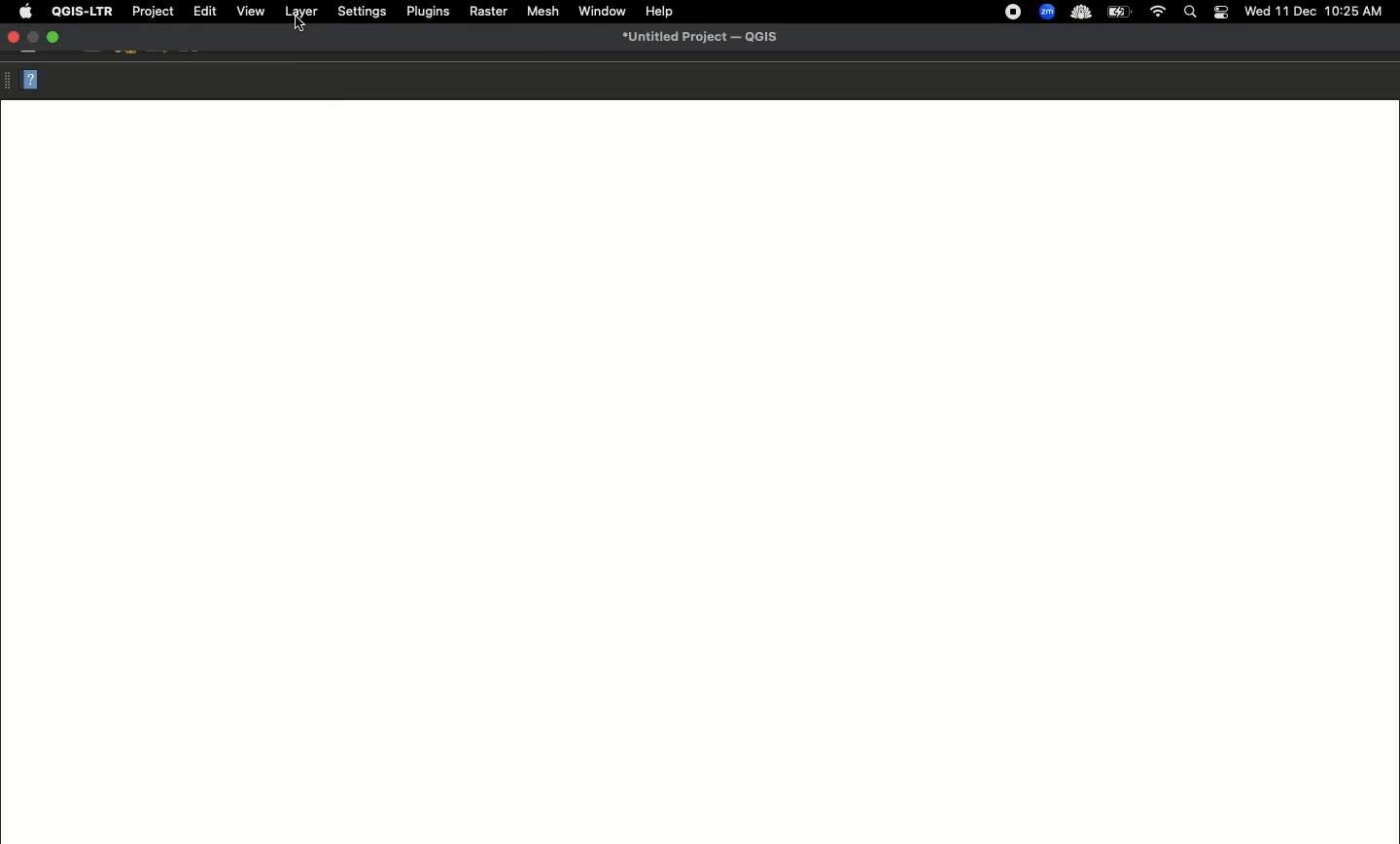 The width and height of the screenshot is (1400, 844). Describe the element at coordinates (152, 13) in the screenshot. I see `Project` at that location.